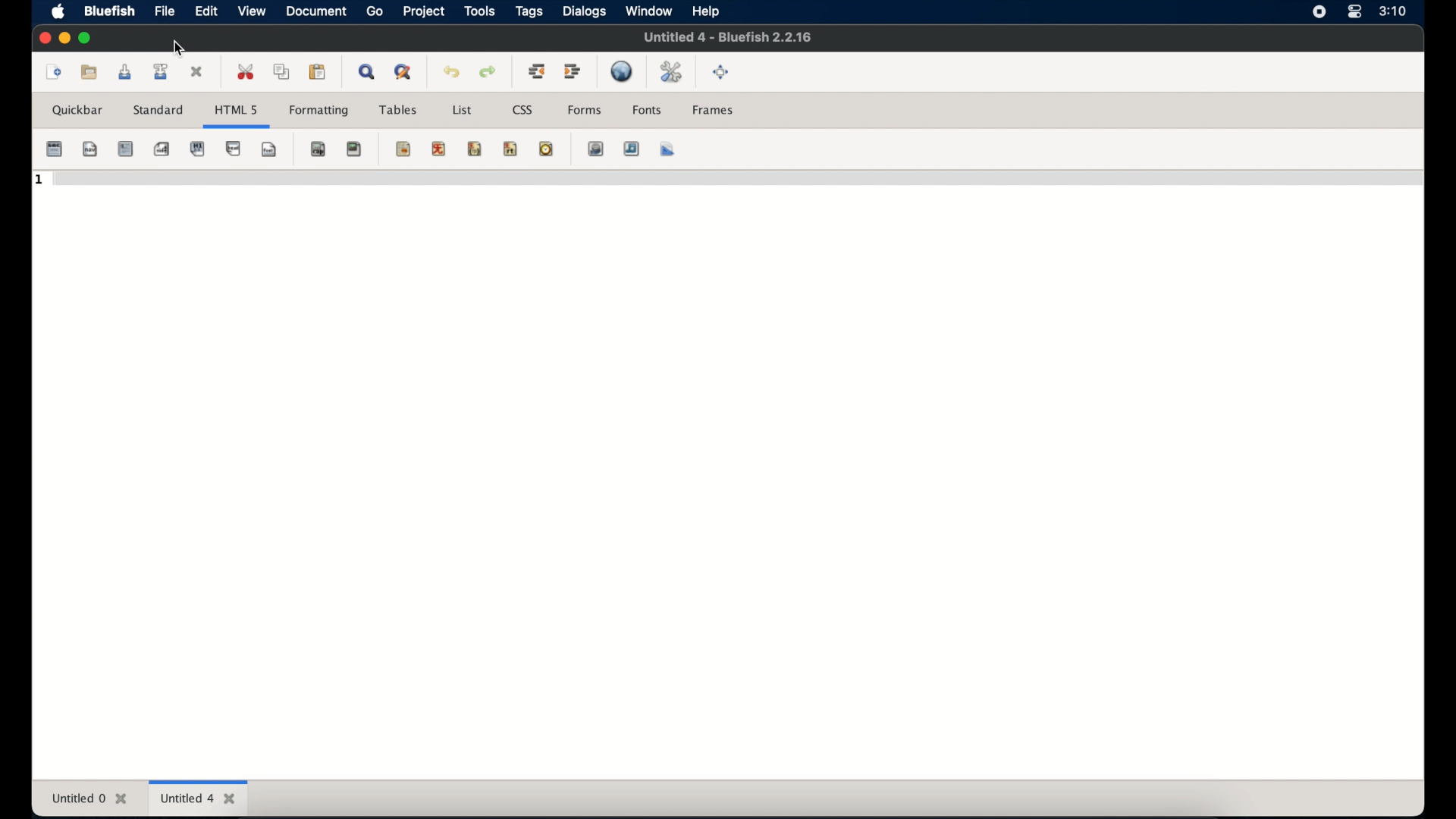  Describe the element at coordinates (423, 11) in the screenshot. I see `project` at that location.